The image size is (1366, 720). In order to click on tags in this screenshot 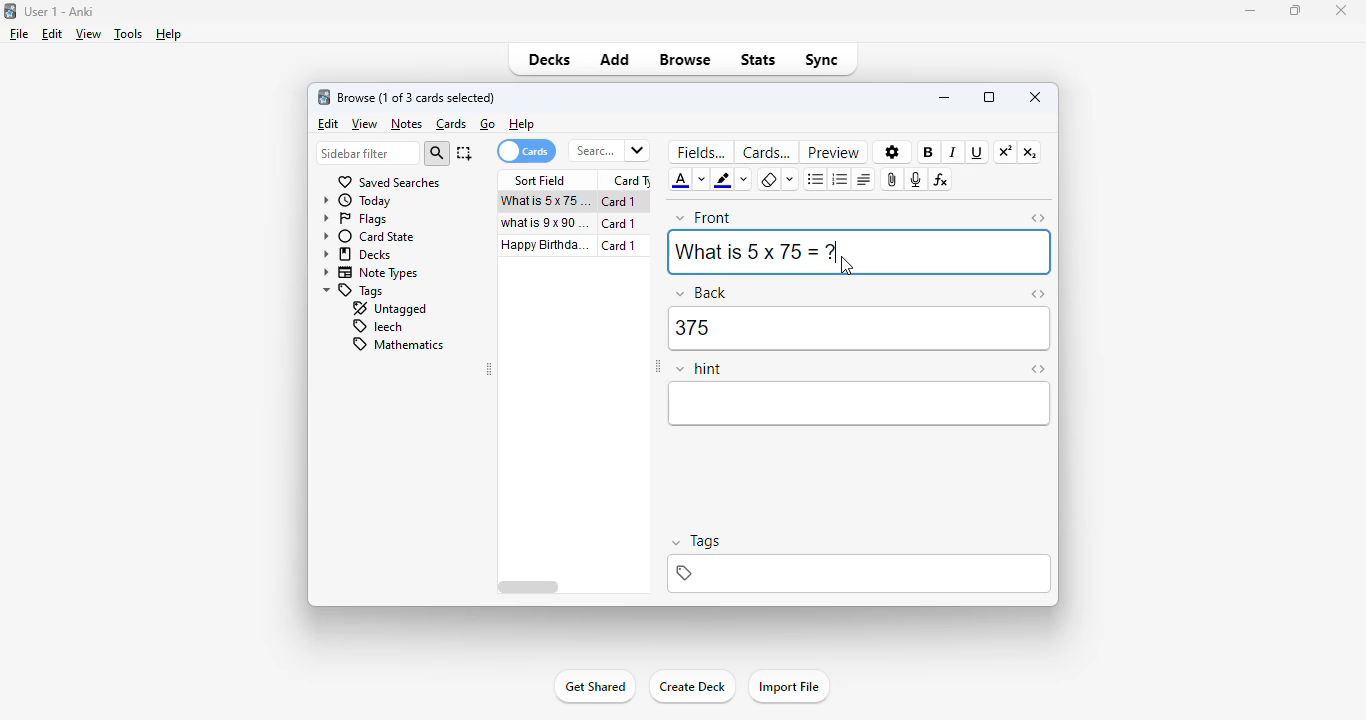, I will do `click(697, 541)`.